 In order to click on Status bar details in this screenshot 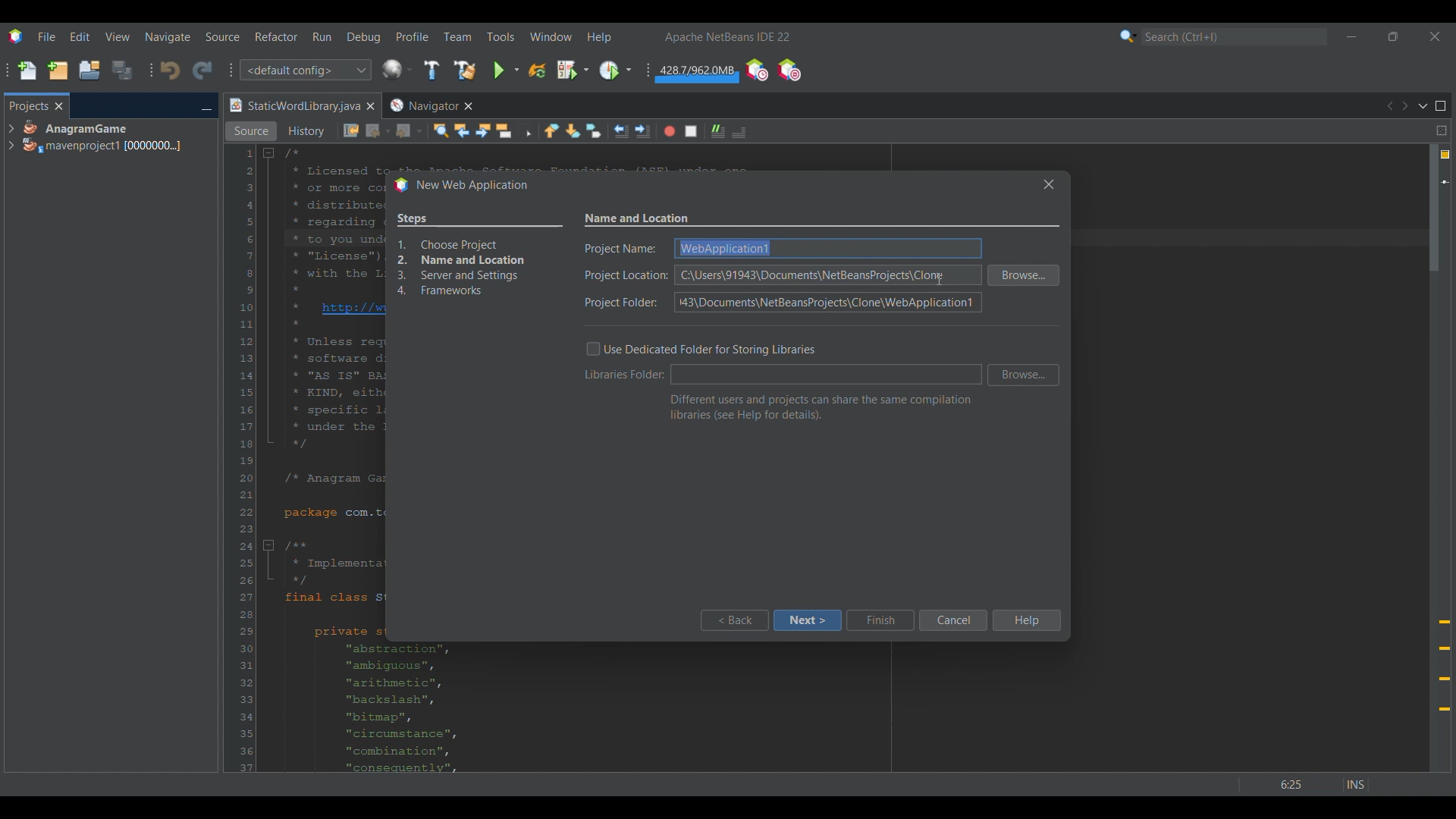, I will do `click(1304, 784)`.